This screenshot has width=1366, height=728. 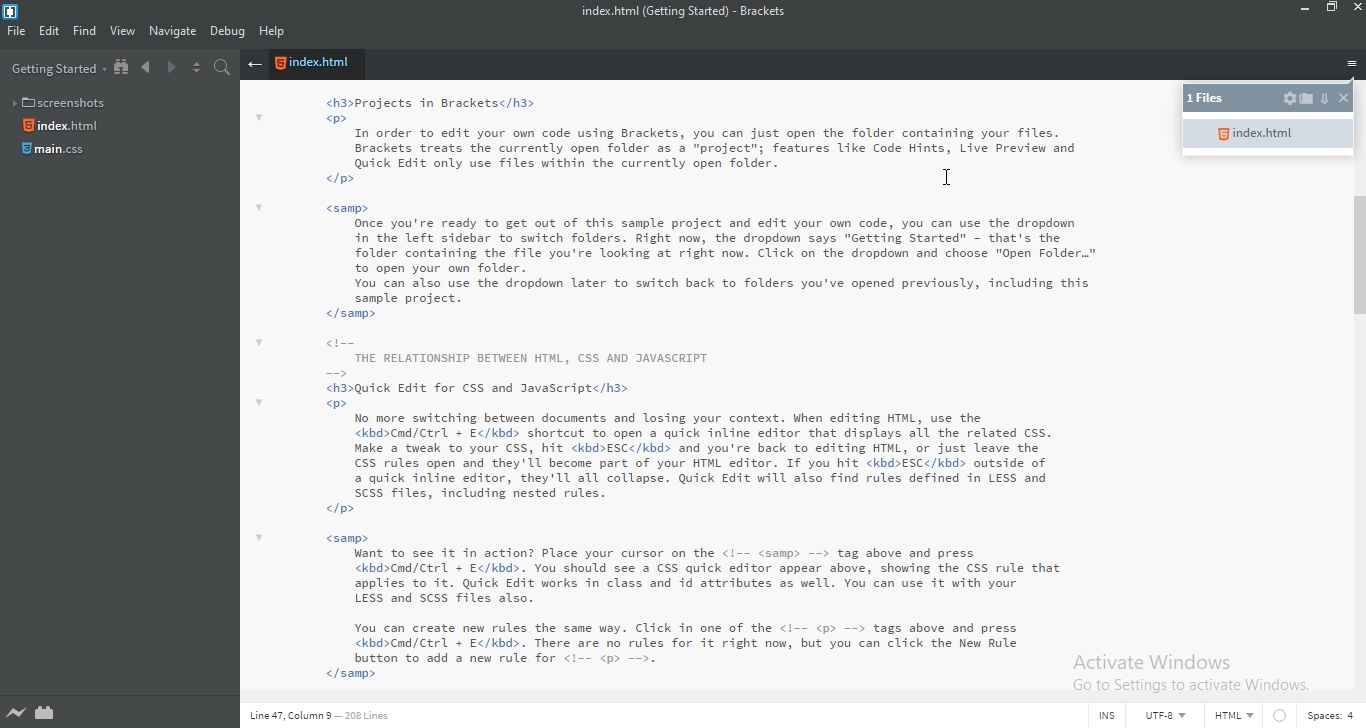 I want to click on space: 4, so click(x=1334, y=718).